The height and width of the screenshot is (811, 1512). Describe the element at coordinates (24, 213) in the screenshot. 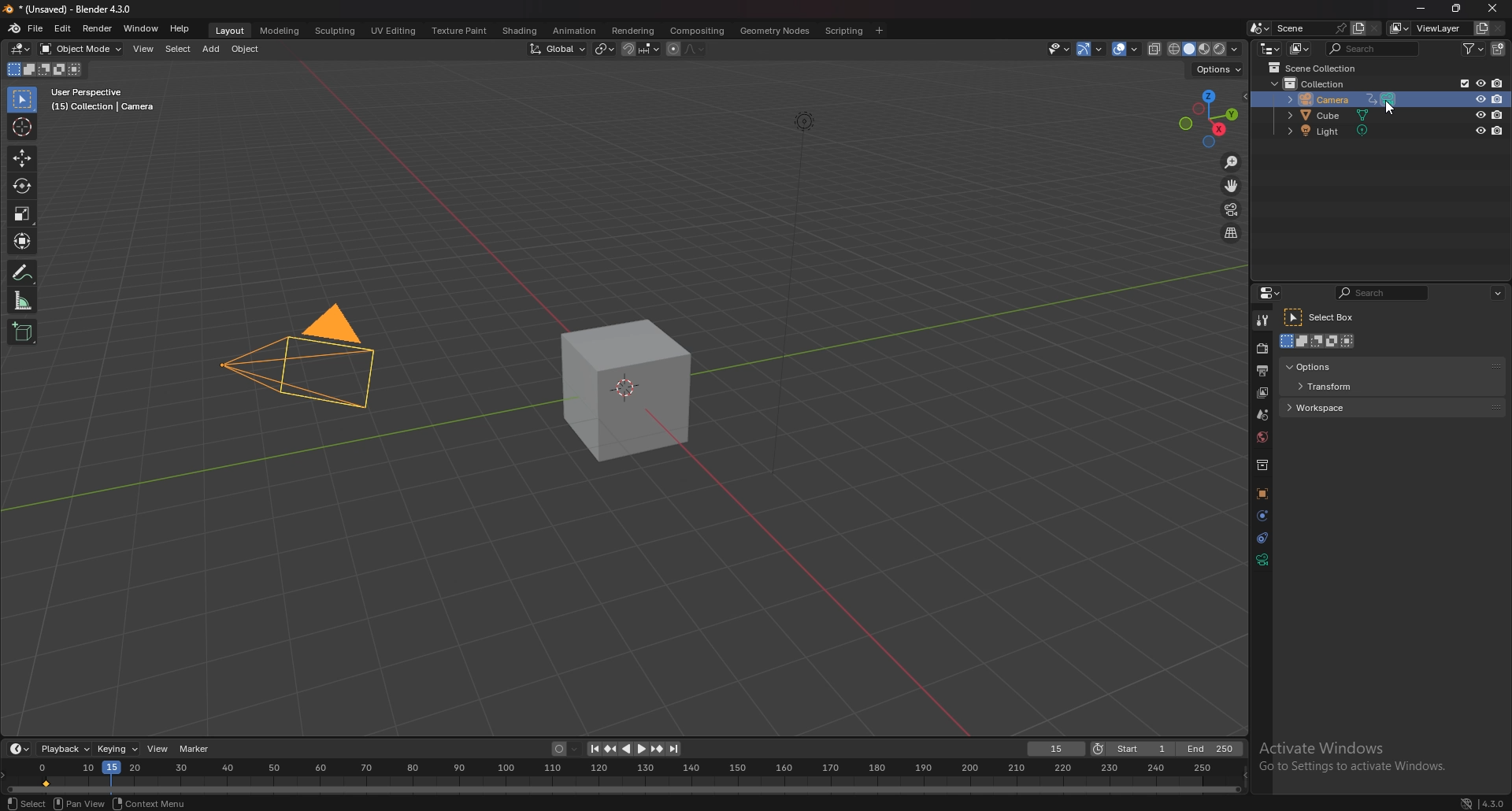

I see `scale` at that location.